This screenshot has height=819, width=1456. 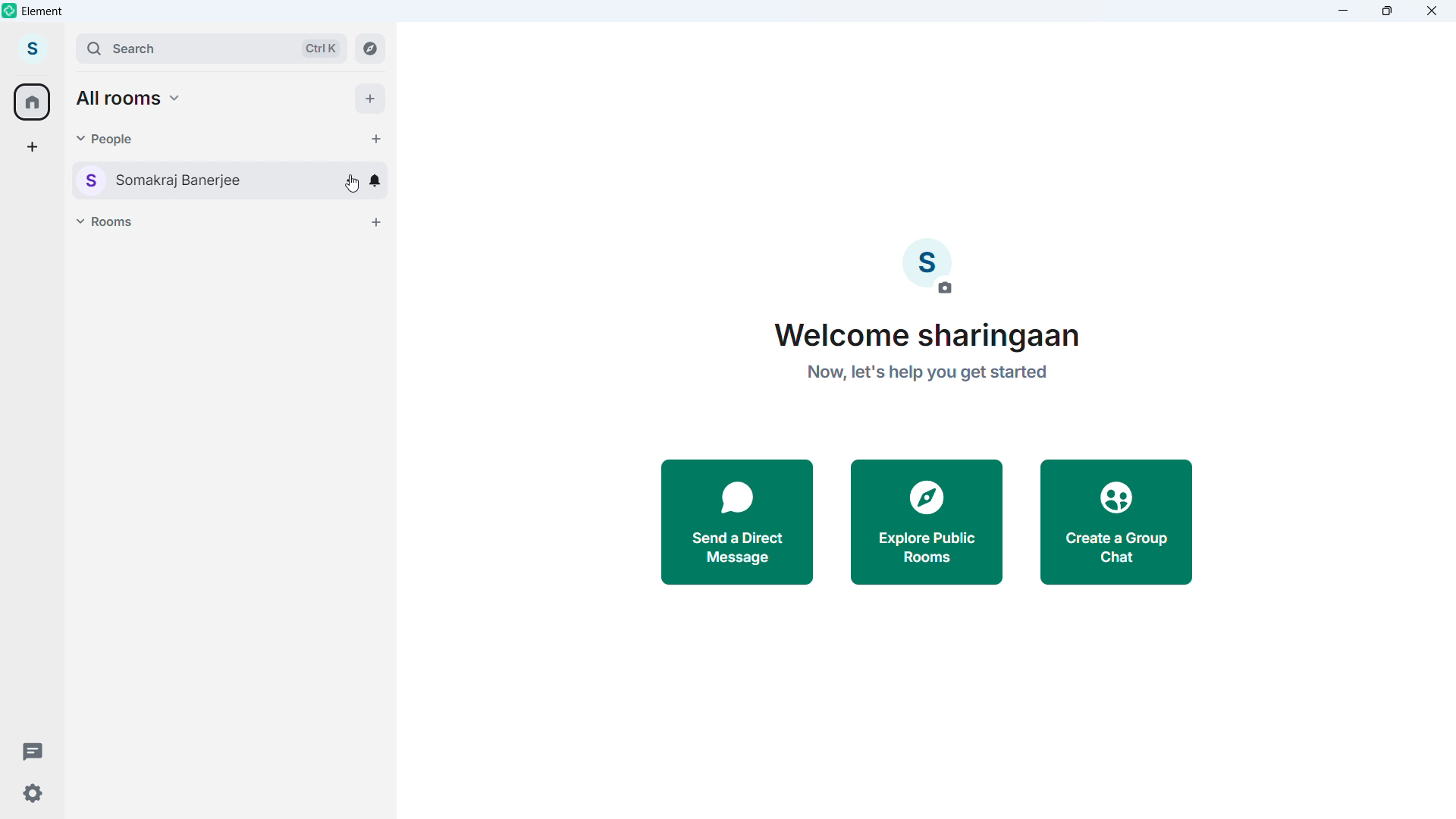 What do you see at coordinates (1432, 12) in the screenshot?
I see `Close ` at bounding box center [1432, 12].